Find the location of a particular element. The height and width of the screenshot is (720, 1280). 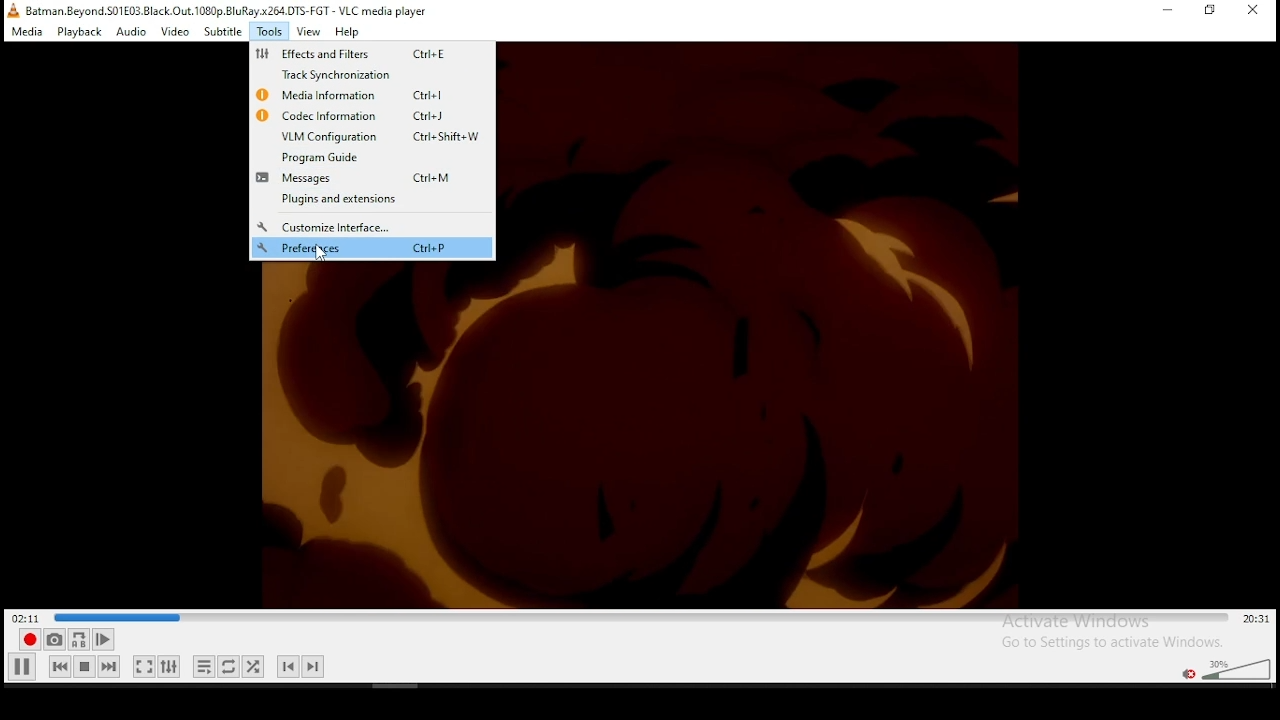

track synchronization is located at coordinates (356, 75).